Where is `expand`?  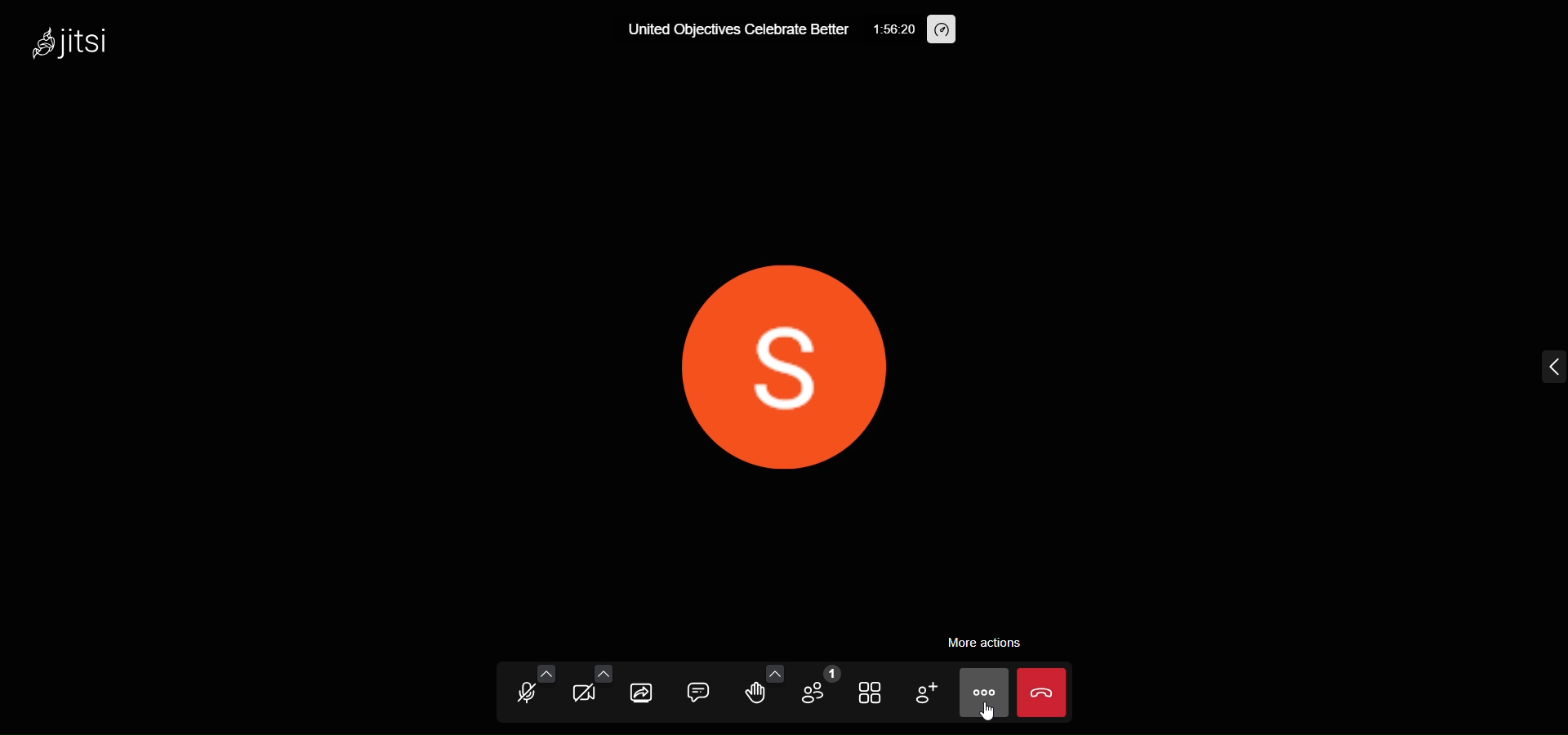 expand is located at coordinates (1543, 368).